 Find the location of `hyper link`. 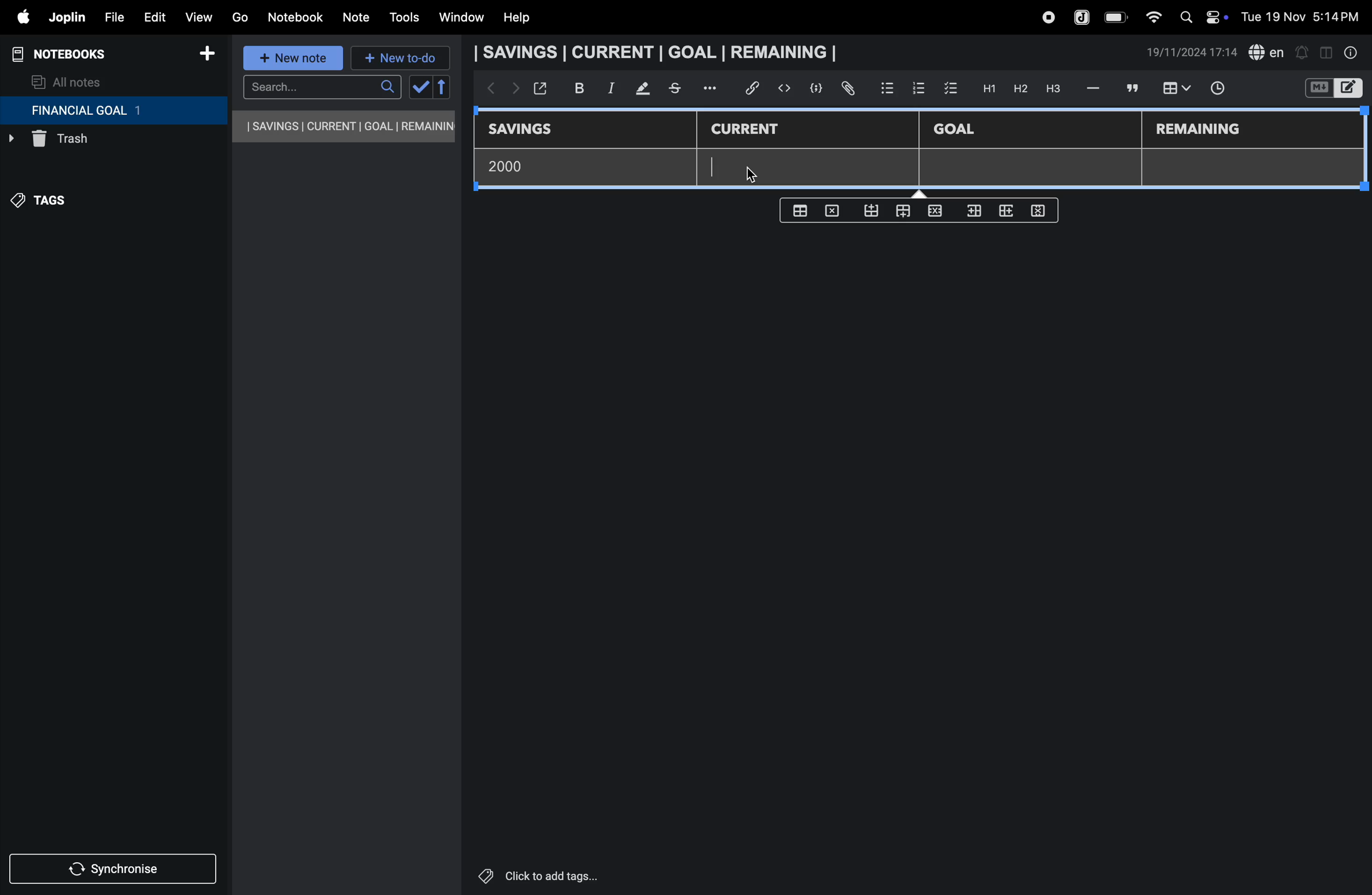

hyper link is located at coordinates (756, 88).